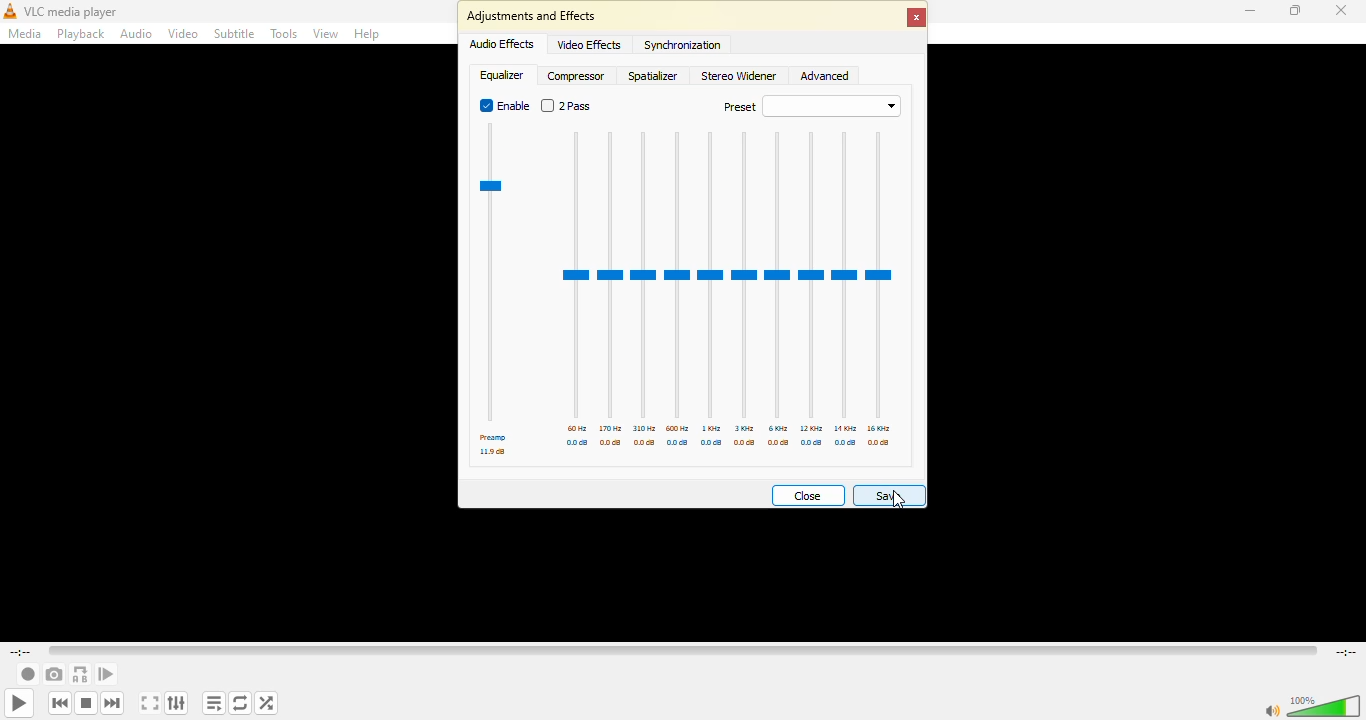  What do you see at coordinates (1293, 9) in the screenshot?
I see `maximize` at bounding box center [1293, 9].